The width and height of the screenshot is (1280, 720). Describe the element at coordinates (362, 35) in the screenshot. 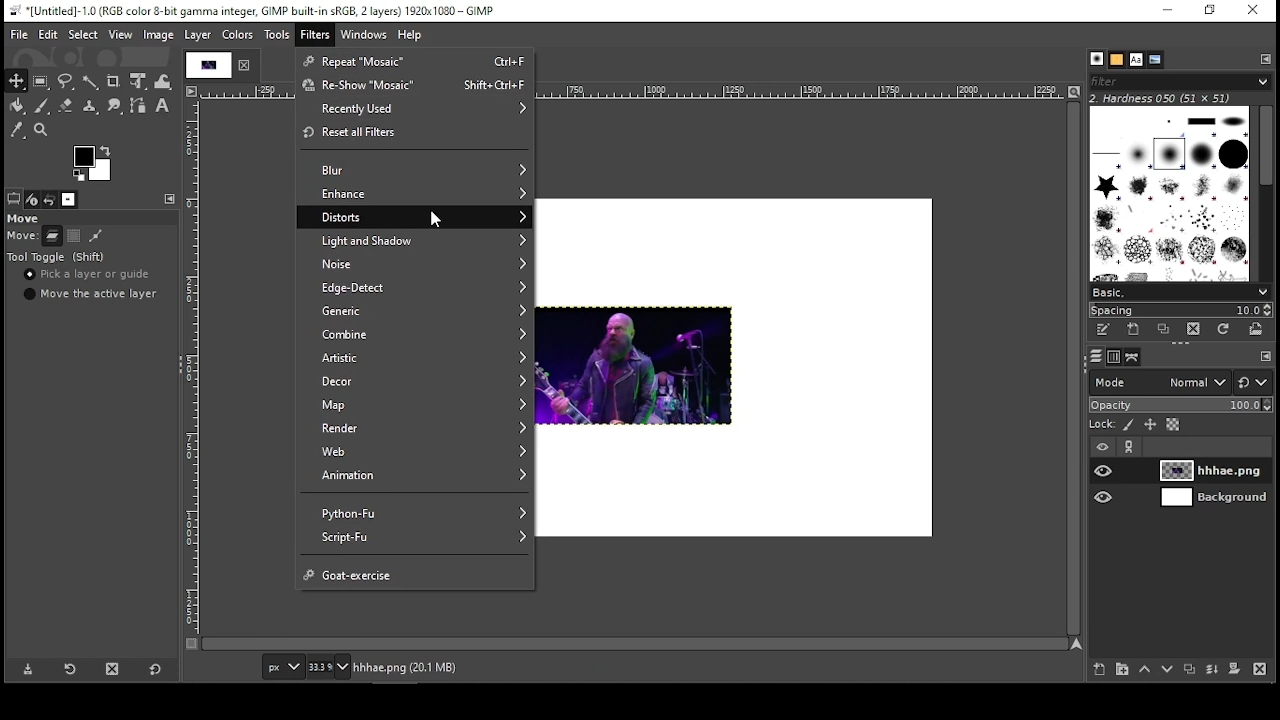

I see `windows` at that location.